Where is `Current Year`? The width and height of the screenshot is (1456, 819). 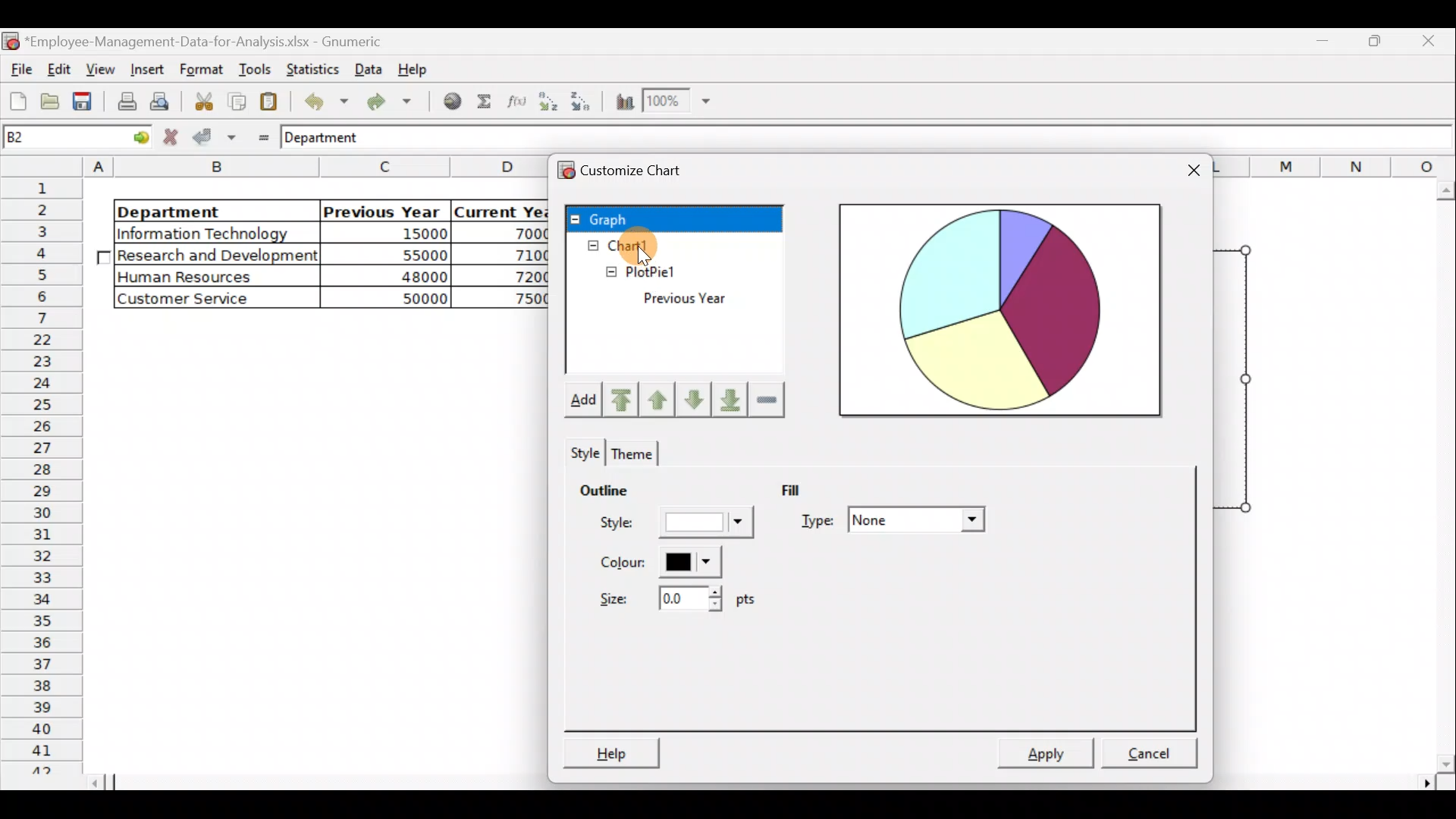
Current Year is located at coordinates (500, 210).